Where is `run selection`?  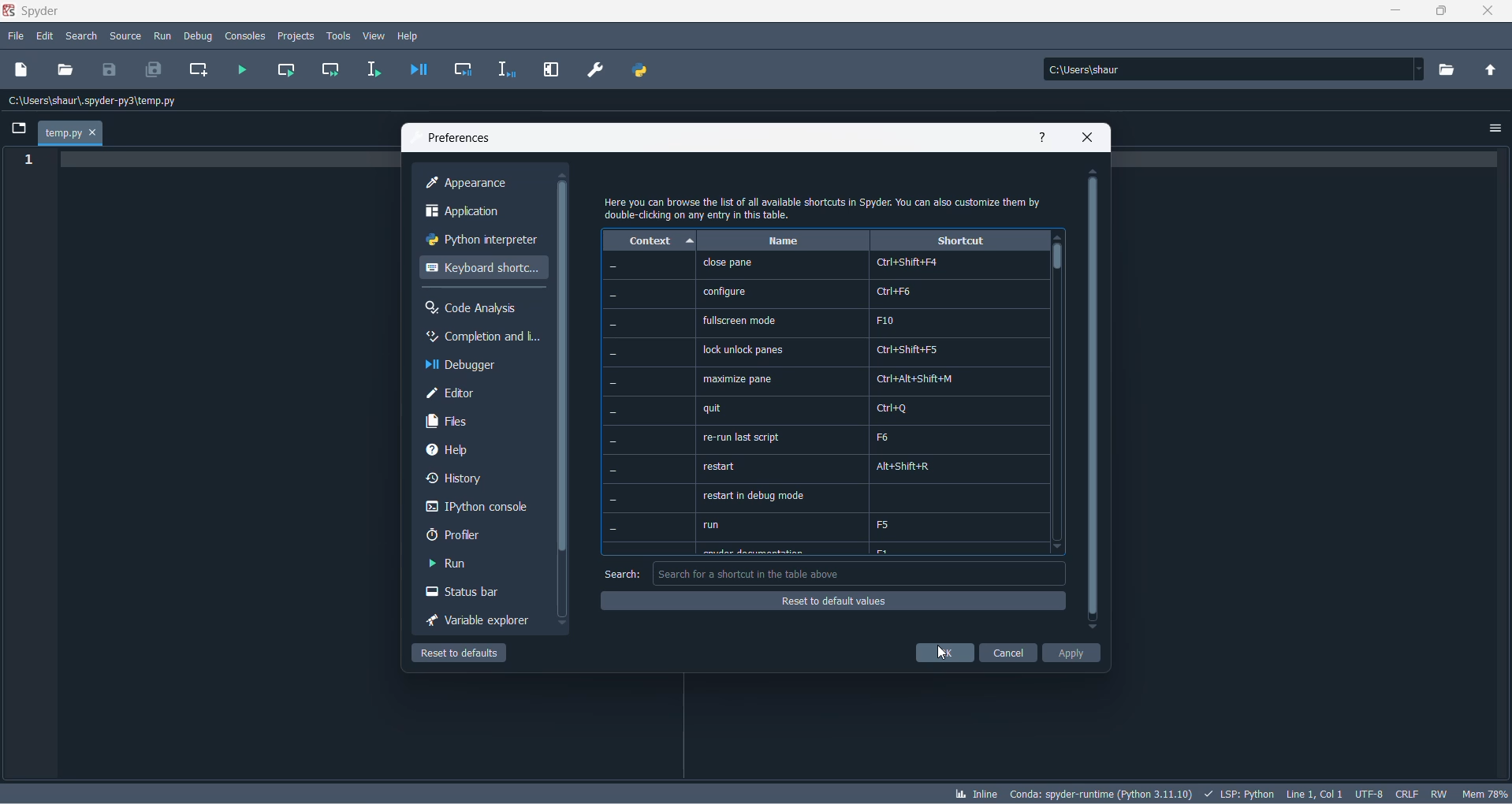
run selection is located at coordinates (371, 70).